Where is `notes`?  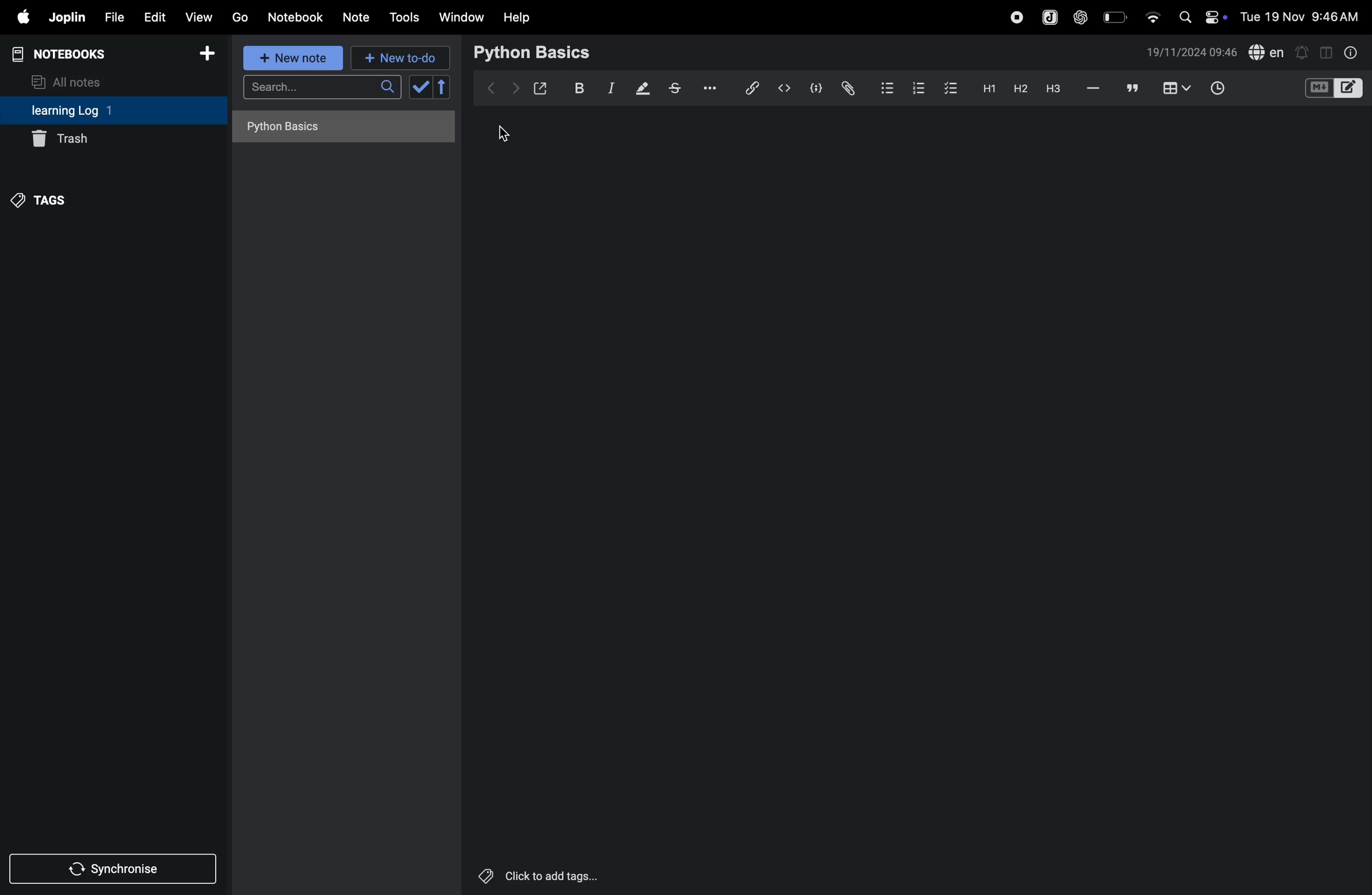 notes is located at coordinates (357, 18).